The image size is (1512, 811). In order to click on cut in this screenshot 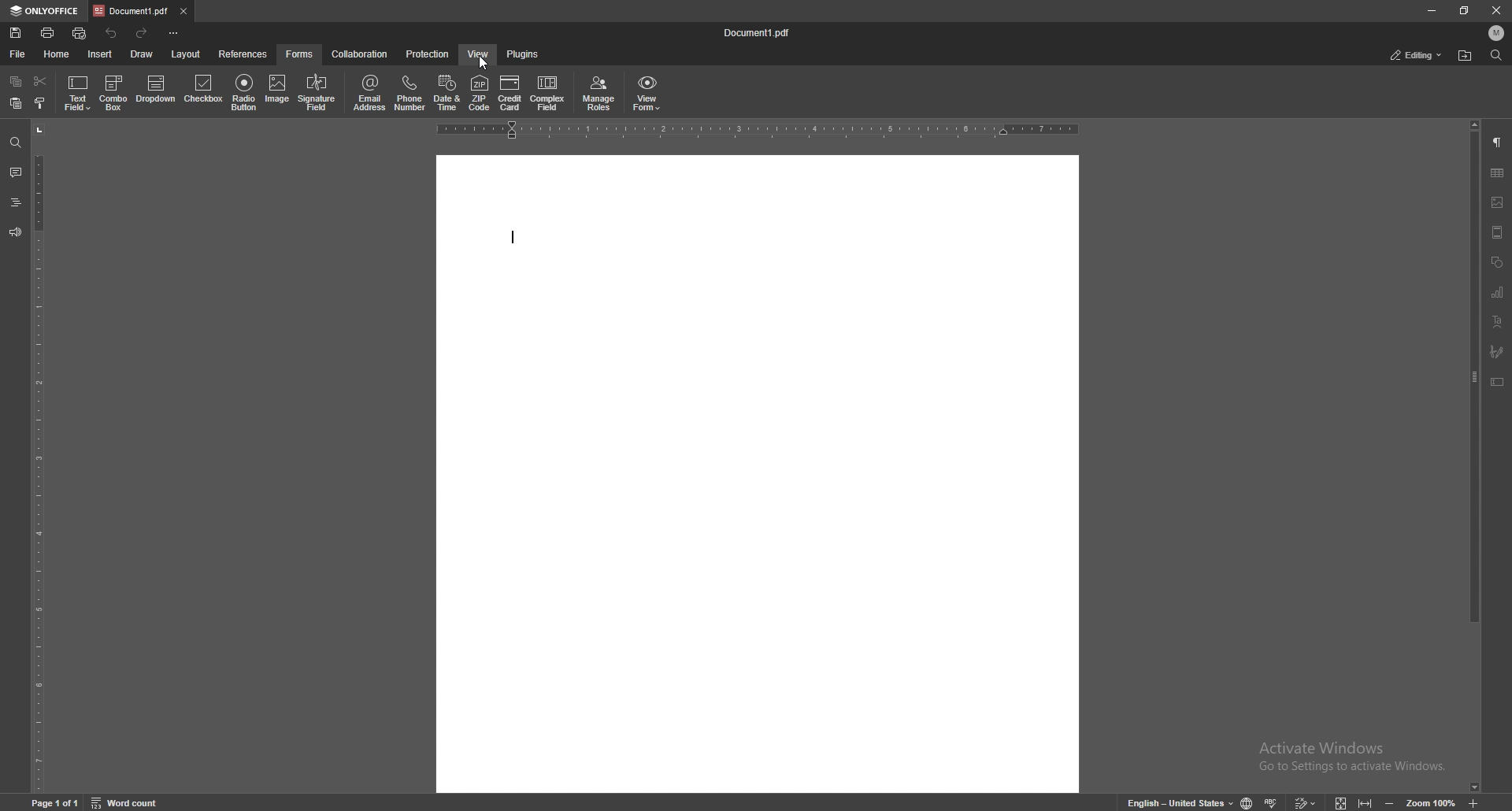, I will do `click(39, 81)`.